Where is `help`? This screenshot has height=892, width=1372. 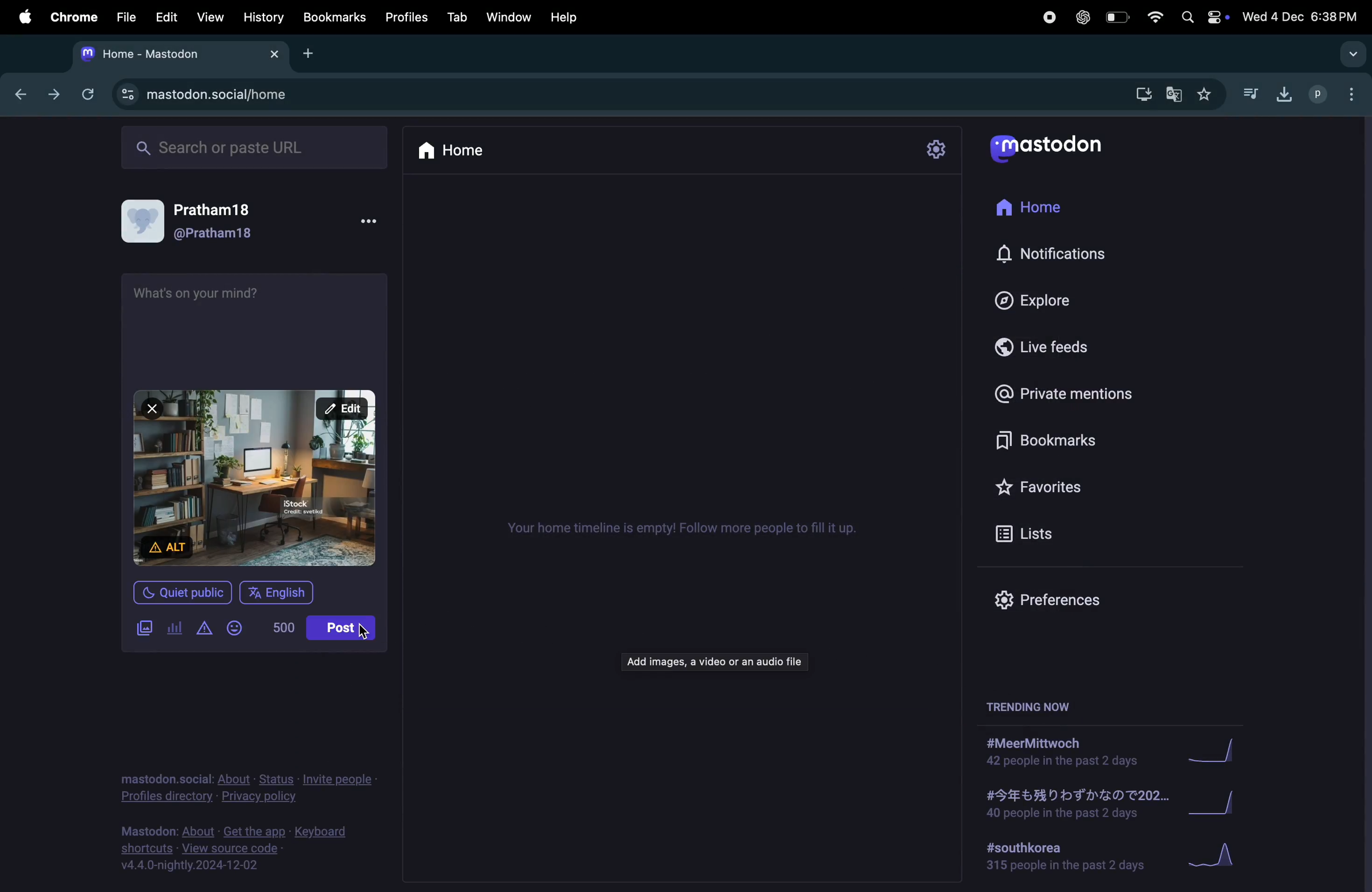
help is located at coordinates (566, 14).